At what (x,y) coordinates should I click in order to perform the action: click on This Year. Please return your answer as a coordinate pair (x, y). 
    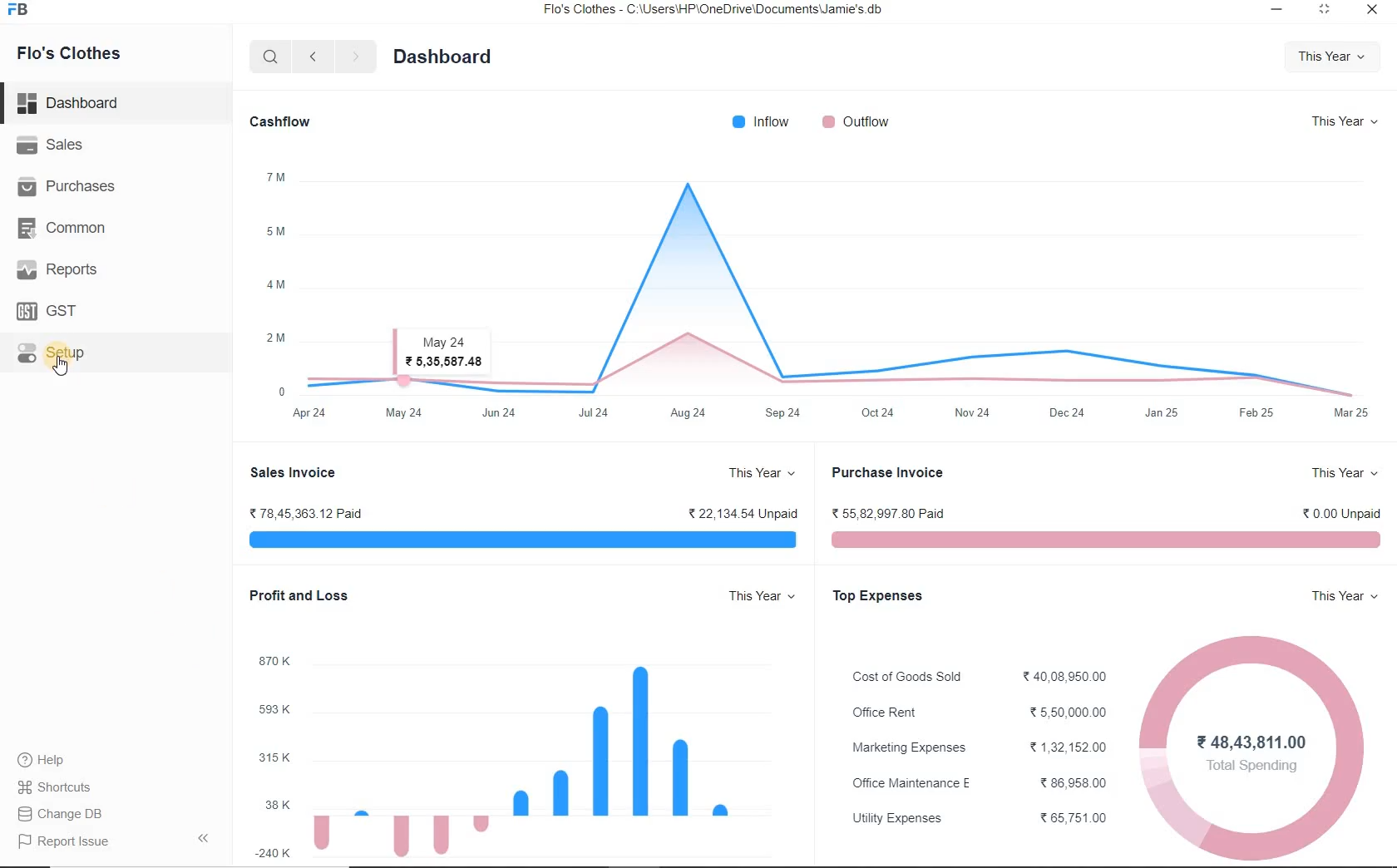
    Looking at the image, I should click on (1346, 122).